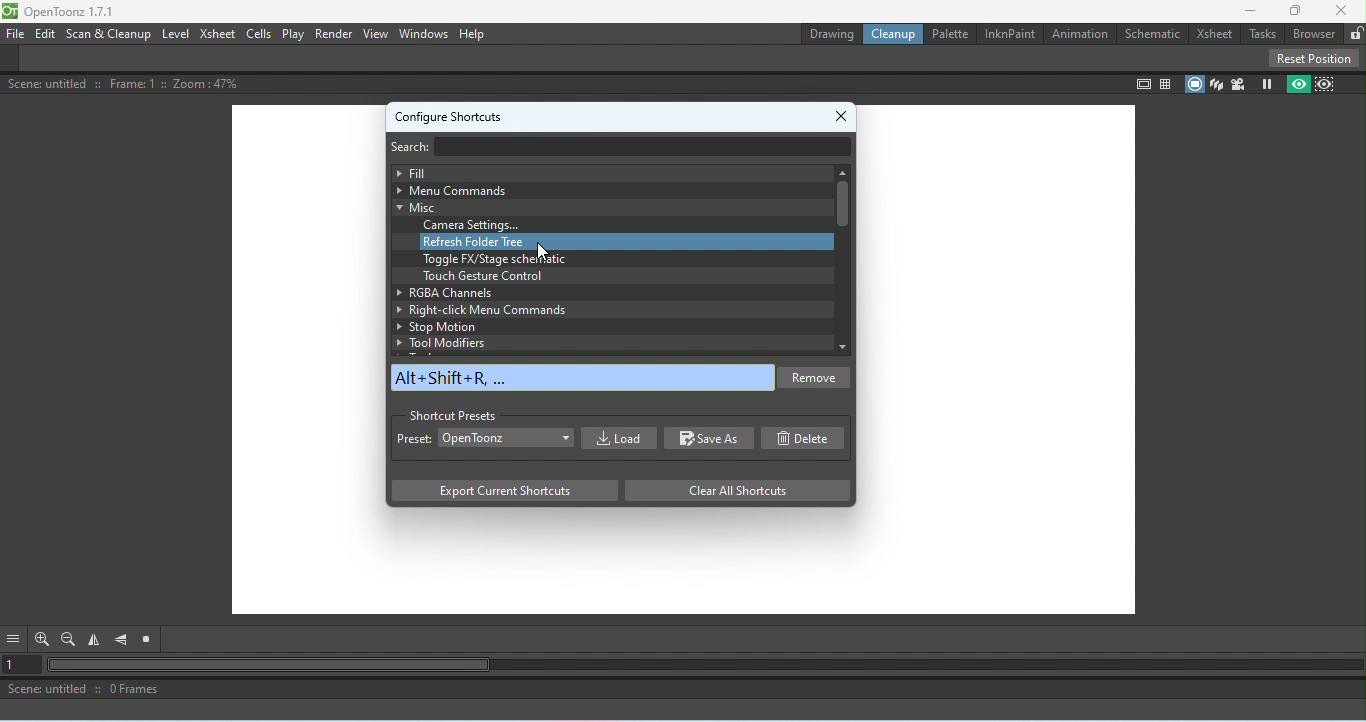  What do you see at coordinates (611, 342) in the screenshot?
I see `Tool modifiers` at bounding box center [611, 342].